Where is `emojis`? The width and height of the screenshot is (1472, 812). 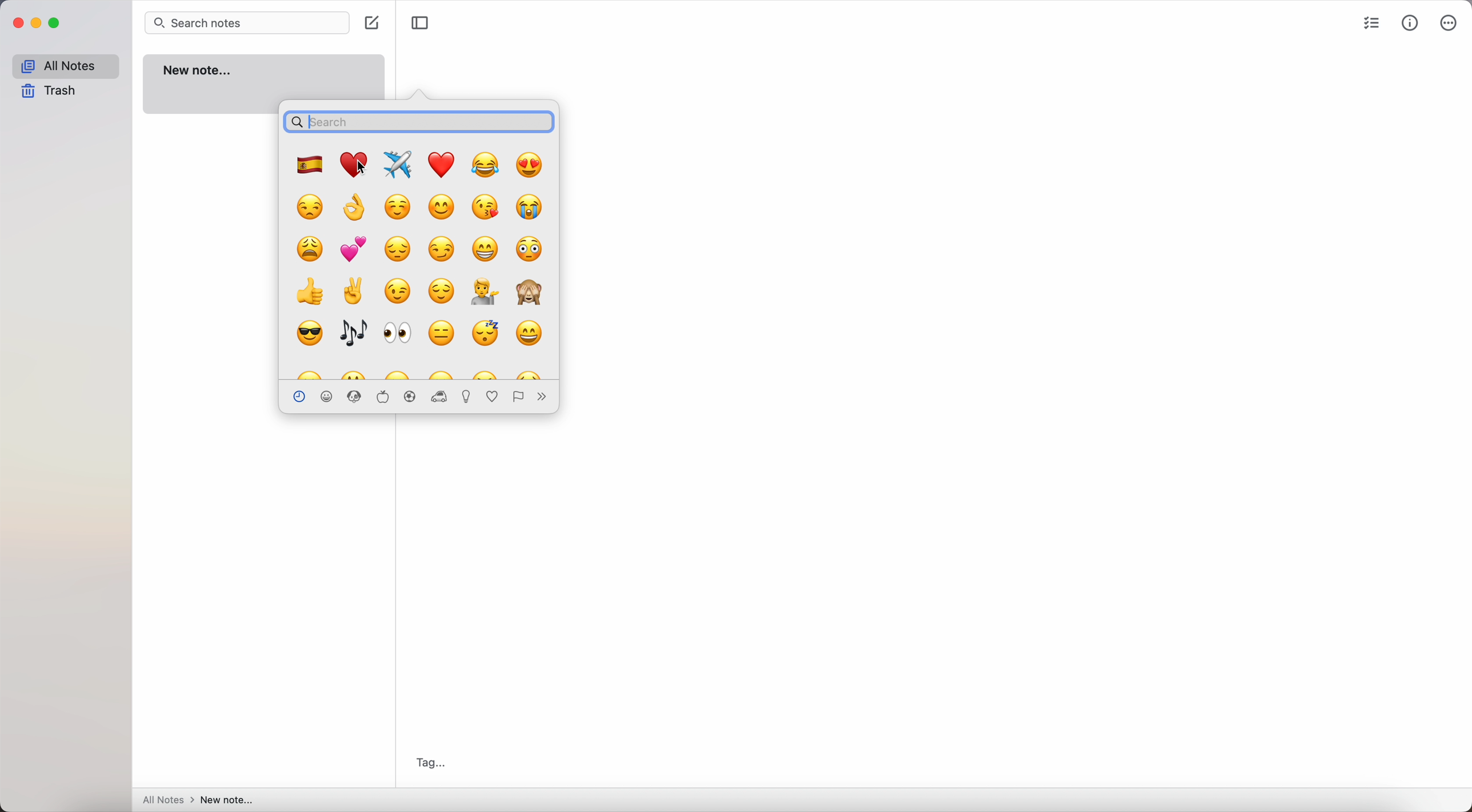
emojis is located at coordinates (330, 397).